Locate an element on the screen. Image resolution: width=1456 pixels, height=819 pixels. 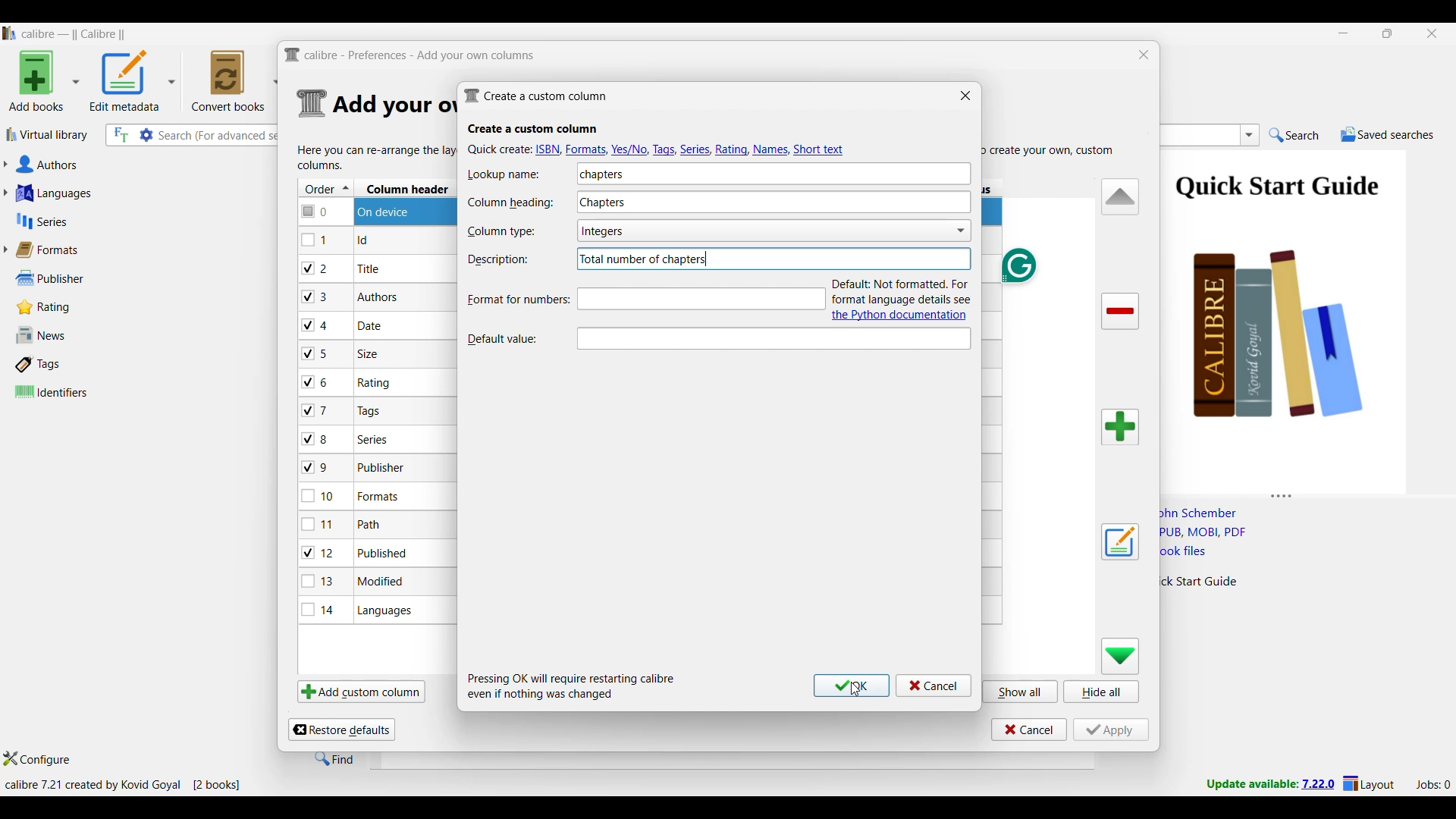
Software name is located at coordinates (74, 34).